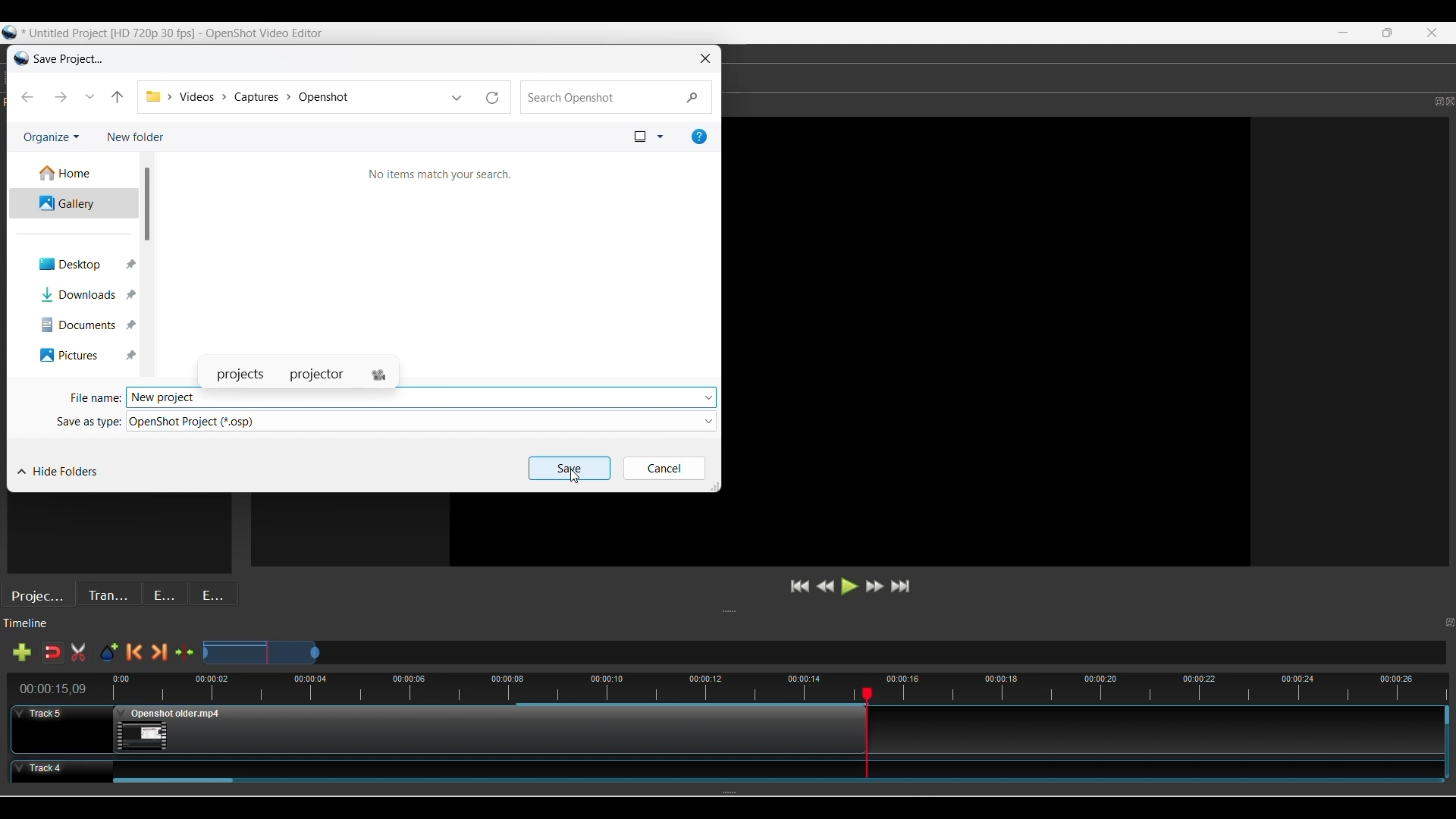 The height and width of the screenshot is (819, 1456). What do you see at coordinates (180, 32) in the screenshot?
I see `Untitled project` at bounding box center [180, 32].